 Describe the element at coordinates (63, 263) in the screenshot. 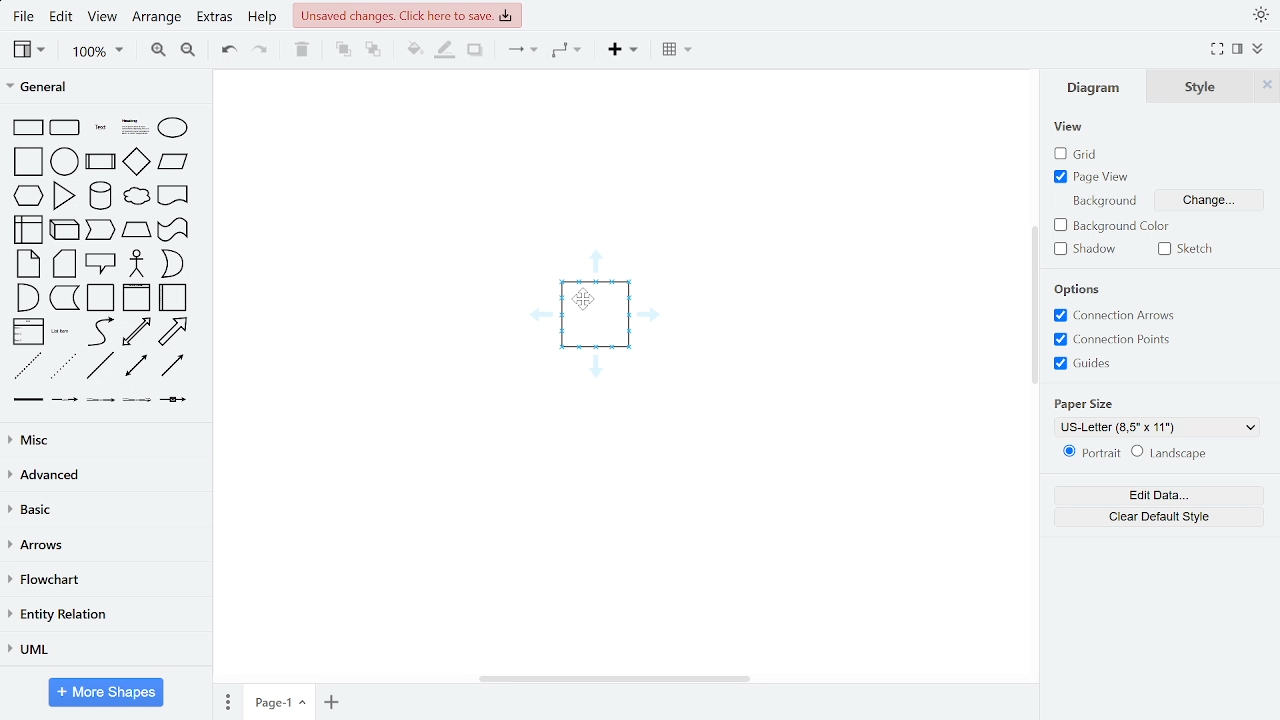

I see `general shapes` at that location.